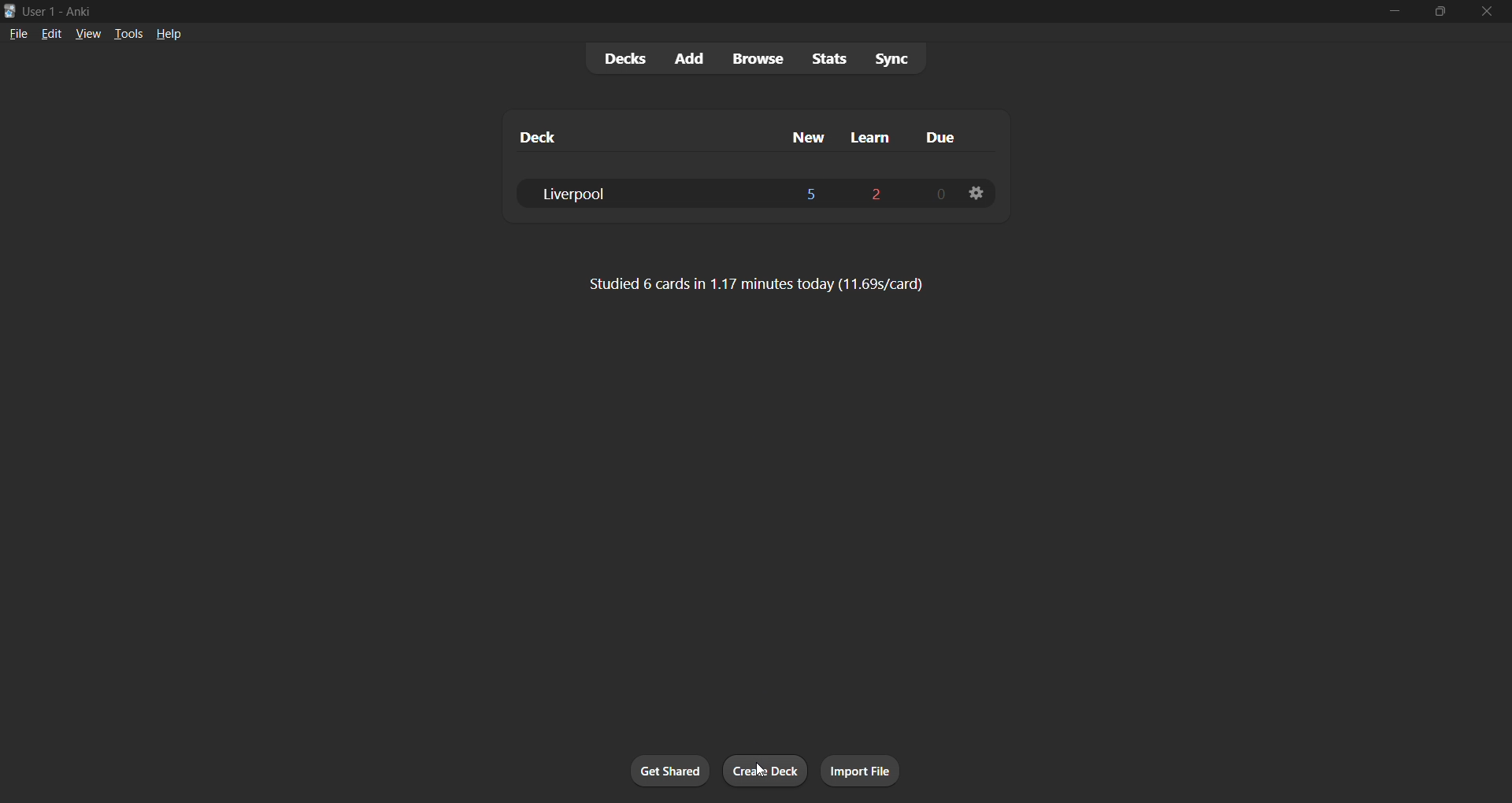 The image size is (1512, 803). Describe the element at coordinates (758, 284) in the screenshot. I see `card stats` at that location.